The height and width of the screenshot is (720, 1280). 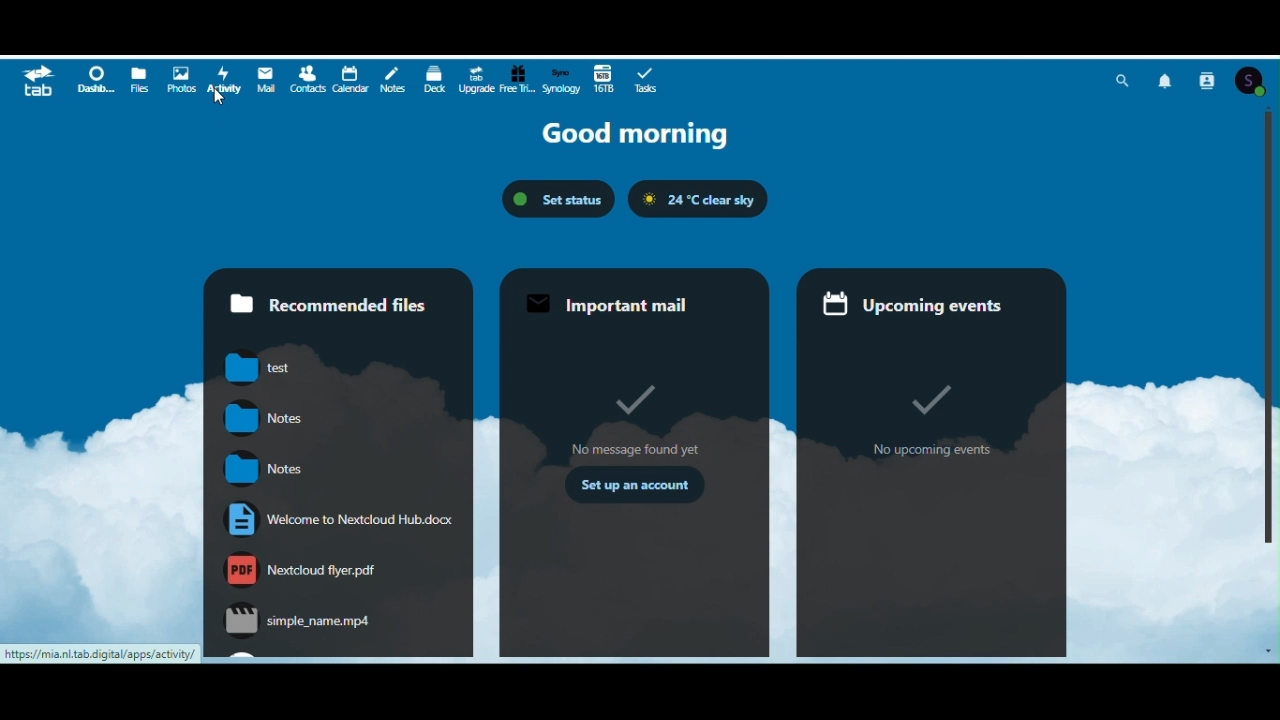 What do you see at coordinates (1271, 329) in the screenshot?
I see `Vertical scroll bar` at bounding box center [1271, 329].